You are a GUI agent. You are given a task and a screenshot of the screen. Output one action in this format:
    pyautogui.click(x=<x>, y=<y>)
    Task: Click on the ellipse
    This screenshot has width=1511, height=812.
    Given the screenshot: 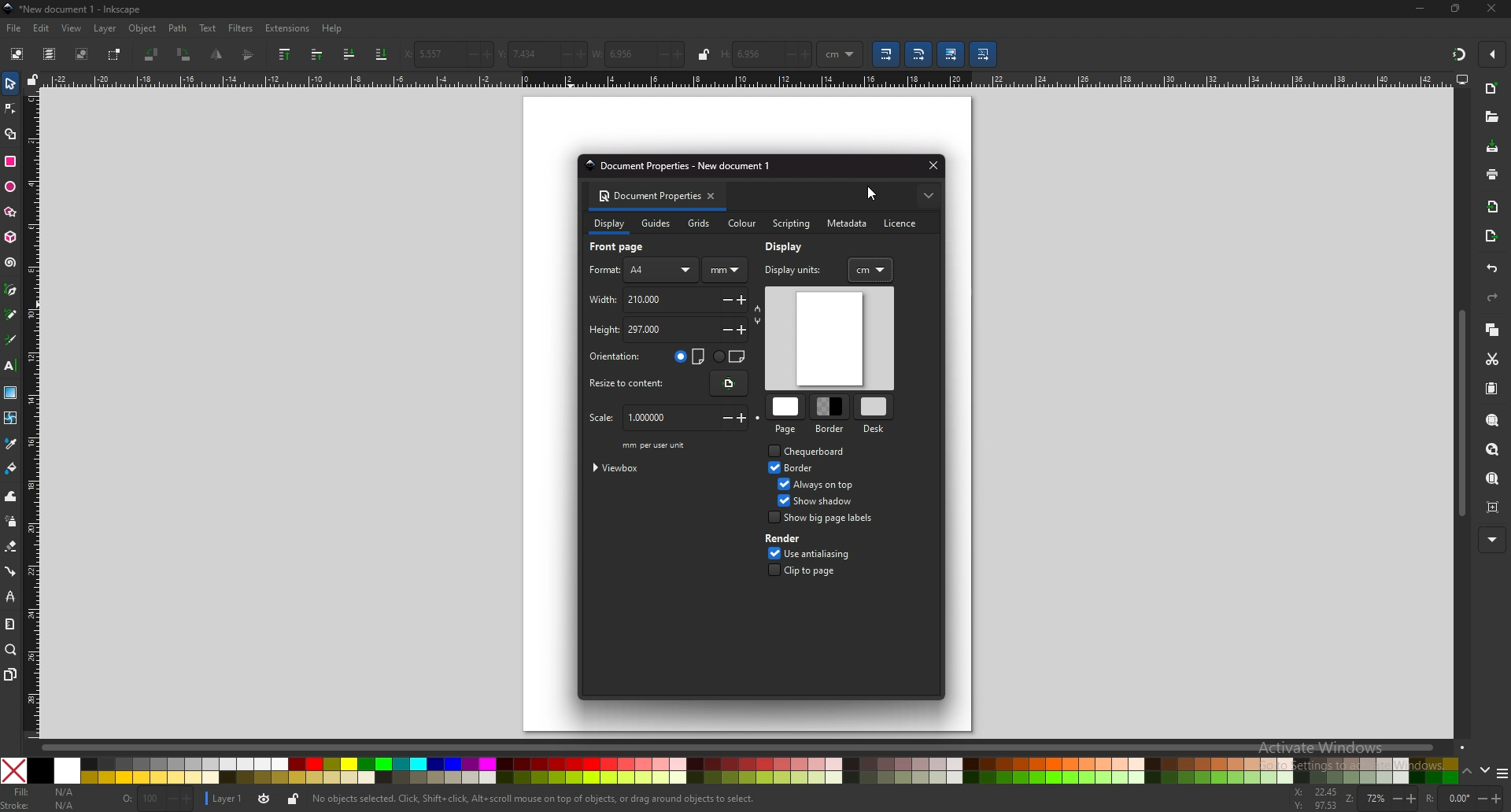 What is the action you would take?
    pyautogui.click(x=10, y=186)
    